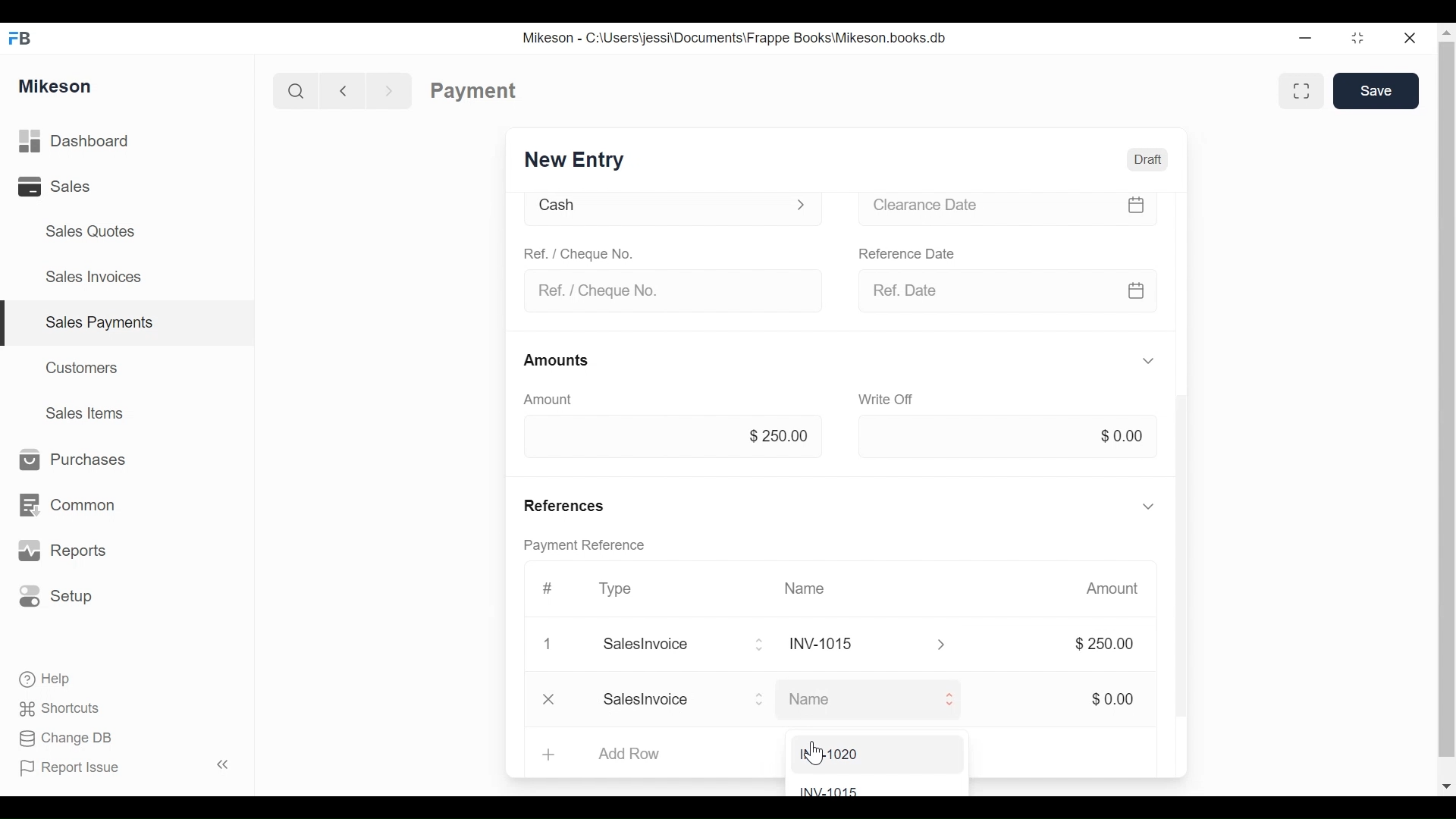 The height and width of the screenshot is (819, 1456). Describe the element at coordinates (566, 360) in the screenshot. I see `Amounts` at that location.